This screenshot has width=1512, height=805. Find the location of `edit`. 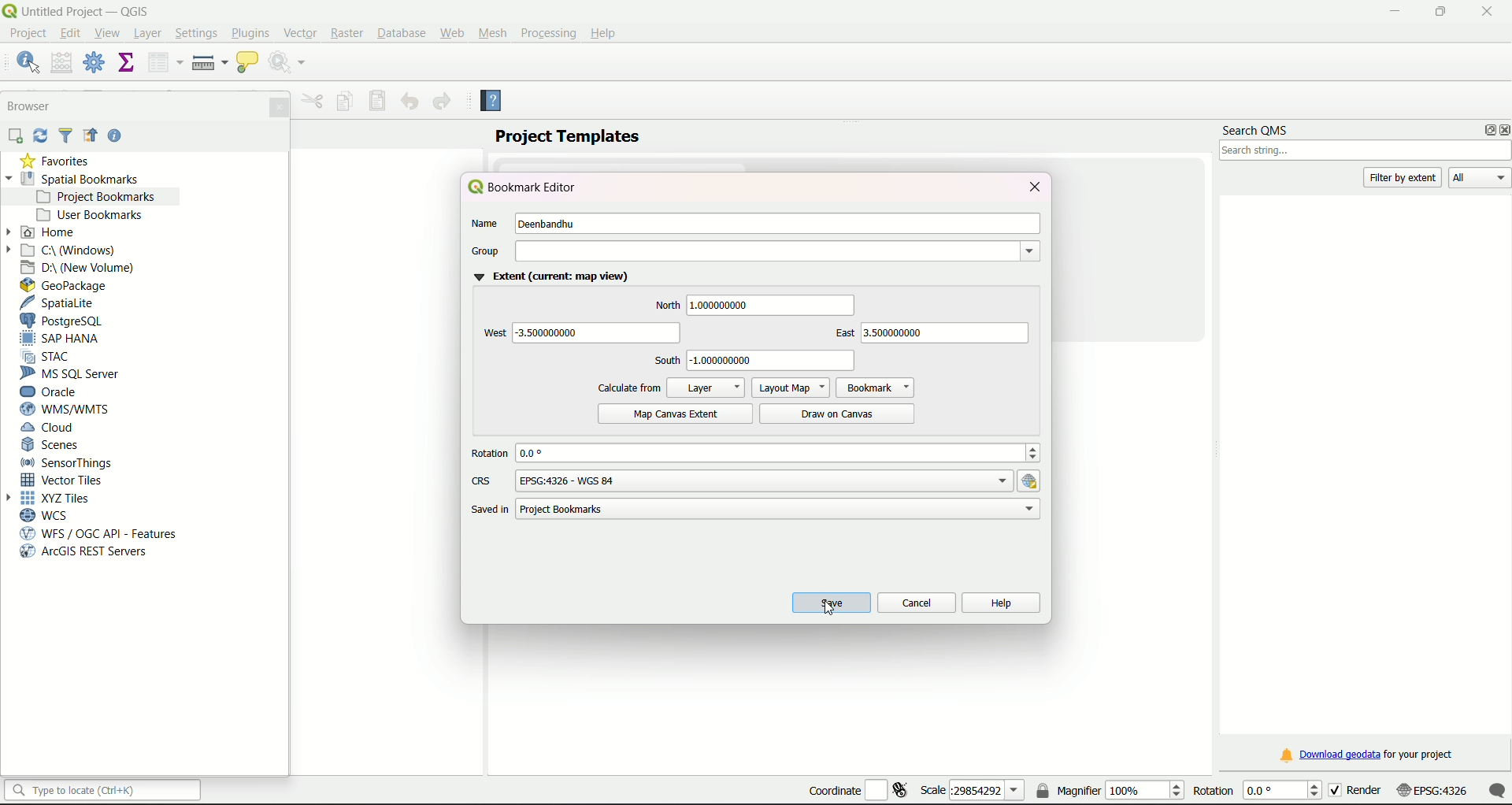

edit is located at coordinates (70, 32).